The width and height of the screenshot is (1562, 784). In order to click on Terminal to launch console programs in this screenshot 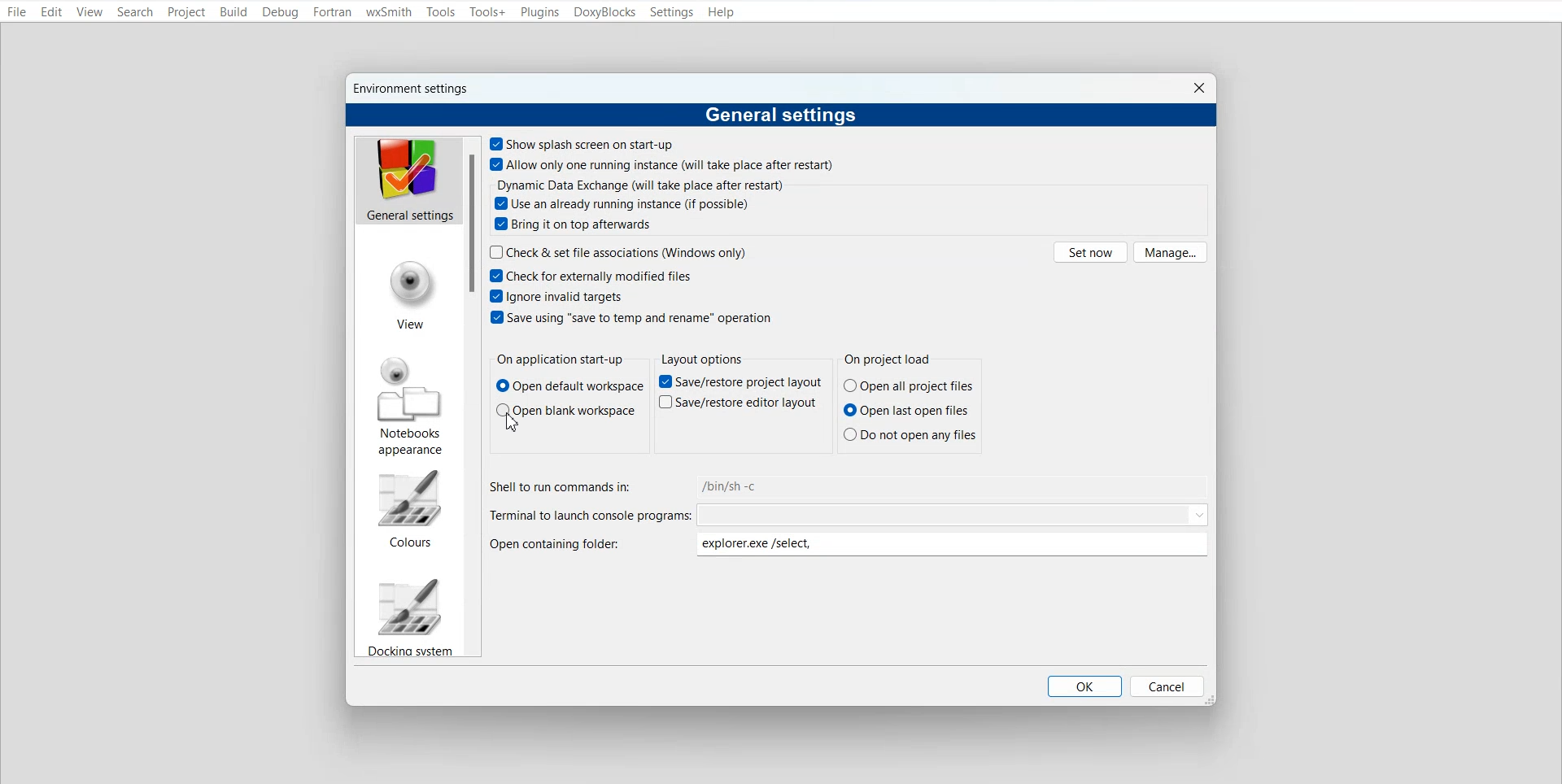, I will do `click(850, 515)`.